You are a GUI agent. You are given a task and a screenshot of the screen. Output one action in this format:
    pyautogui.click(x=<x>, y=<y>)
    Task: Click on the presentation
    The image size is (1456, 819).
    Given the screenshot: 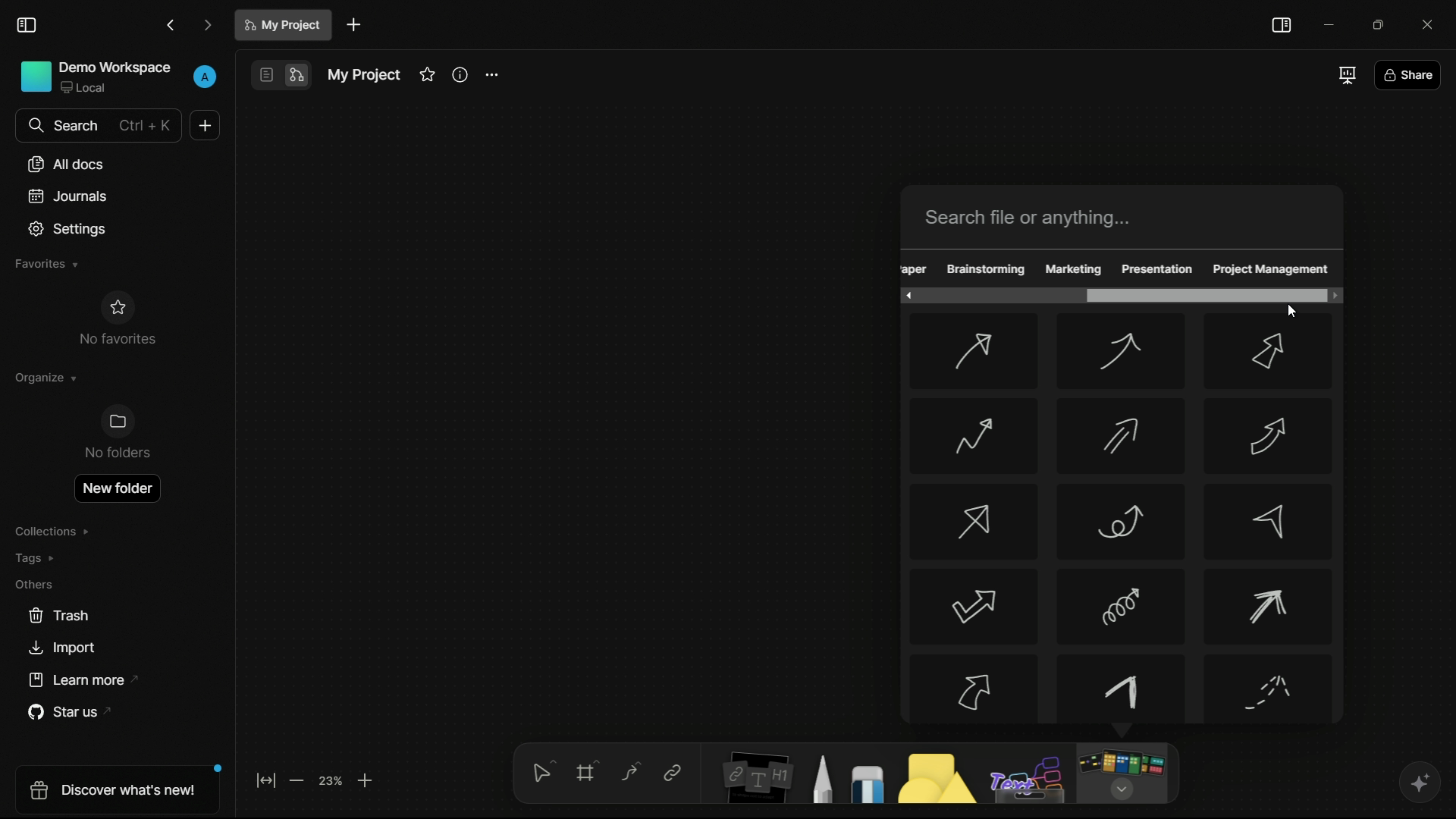 What is the action you would take?
    pyautogui.click(x=1156, y=268)
    